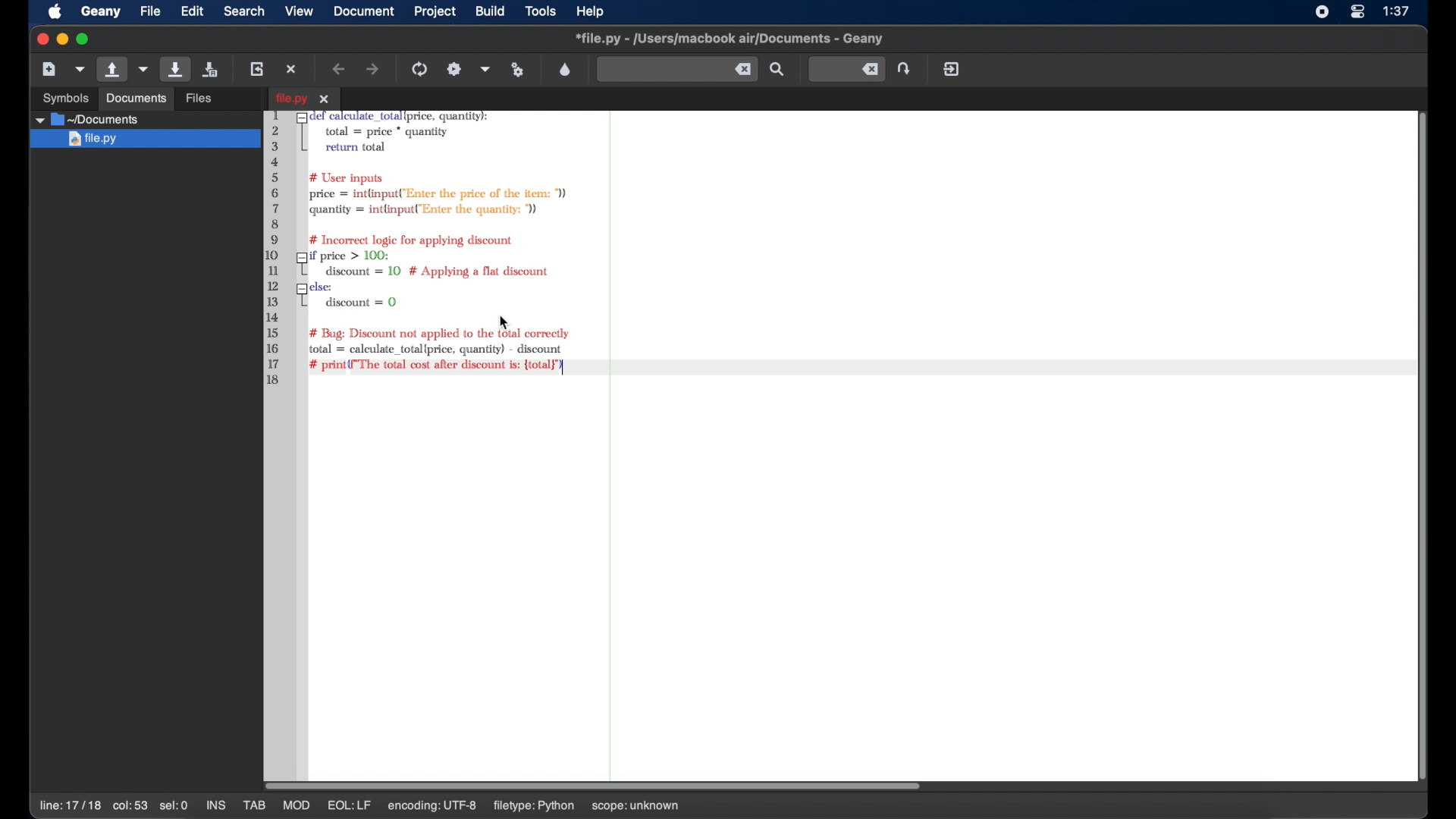 This screenshot has width=1456, height=819. I want to click on quit geany, so click(951, 68).